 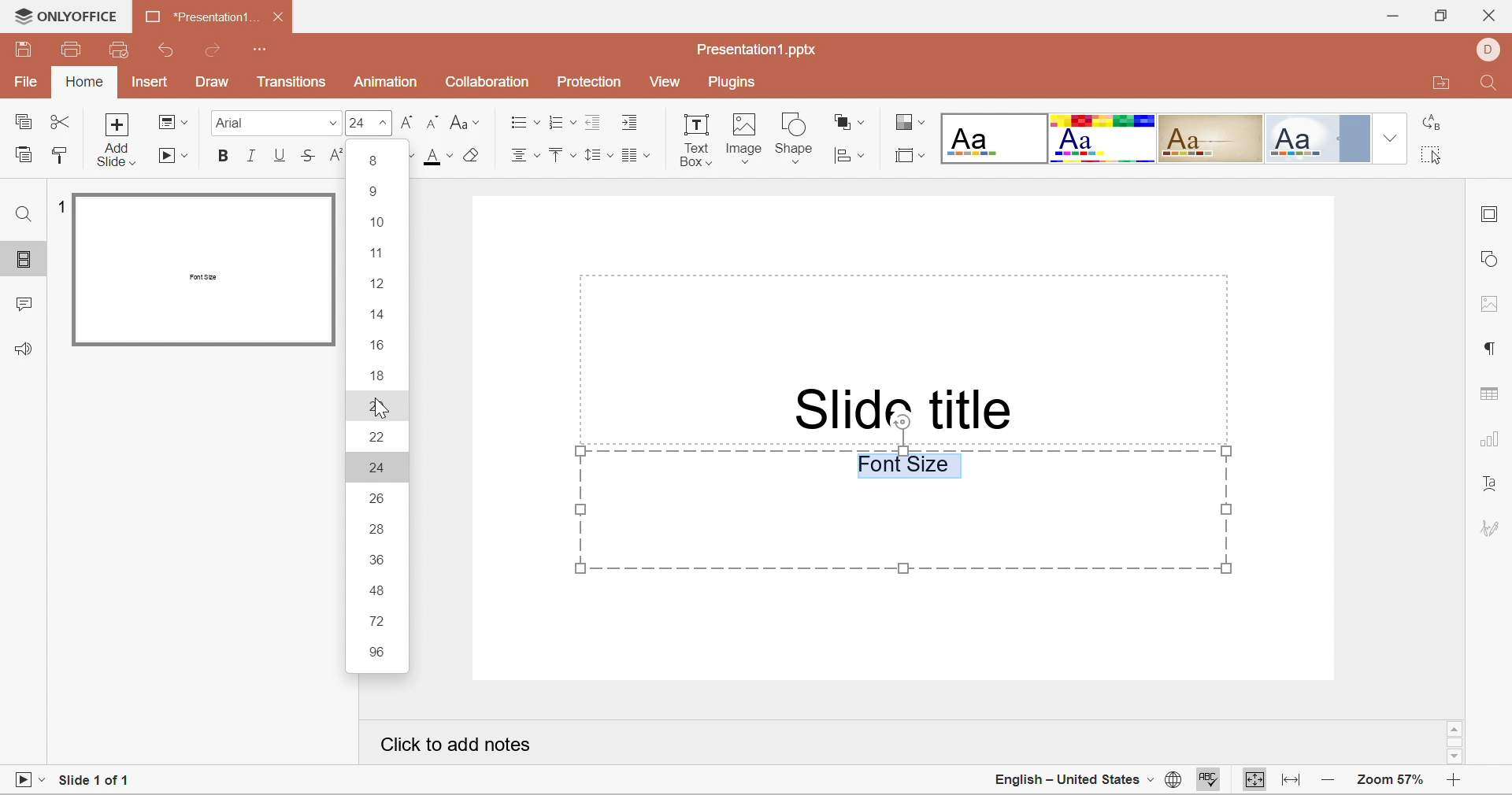 I want to click on Font, so click(x=230, y=122).